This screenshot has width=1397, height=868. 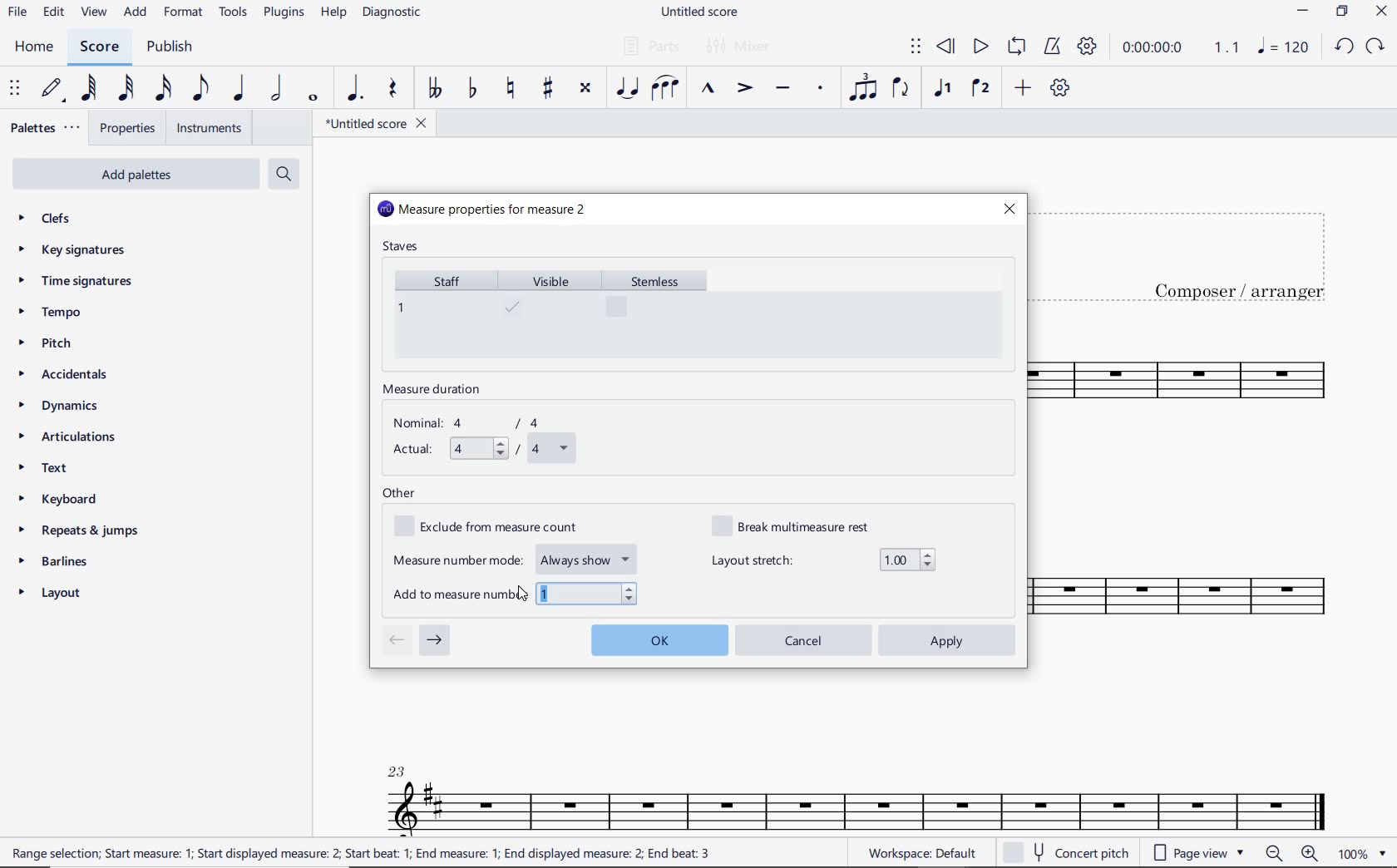 I want to click on TIME SIGNATURES, so click(x=77, y=282).